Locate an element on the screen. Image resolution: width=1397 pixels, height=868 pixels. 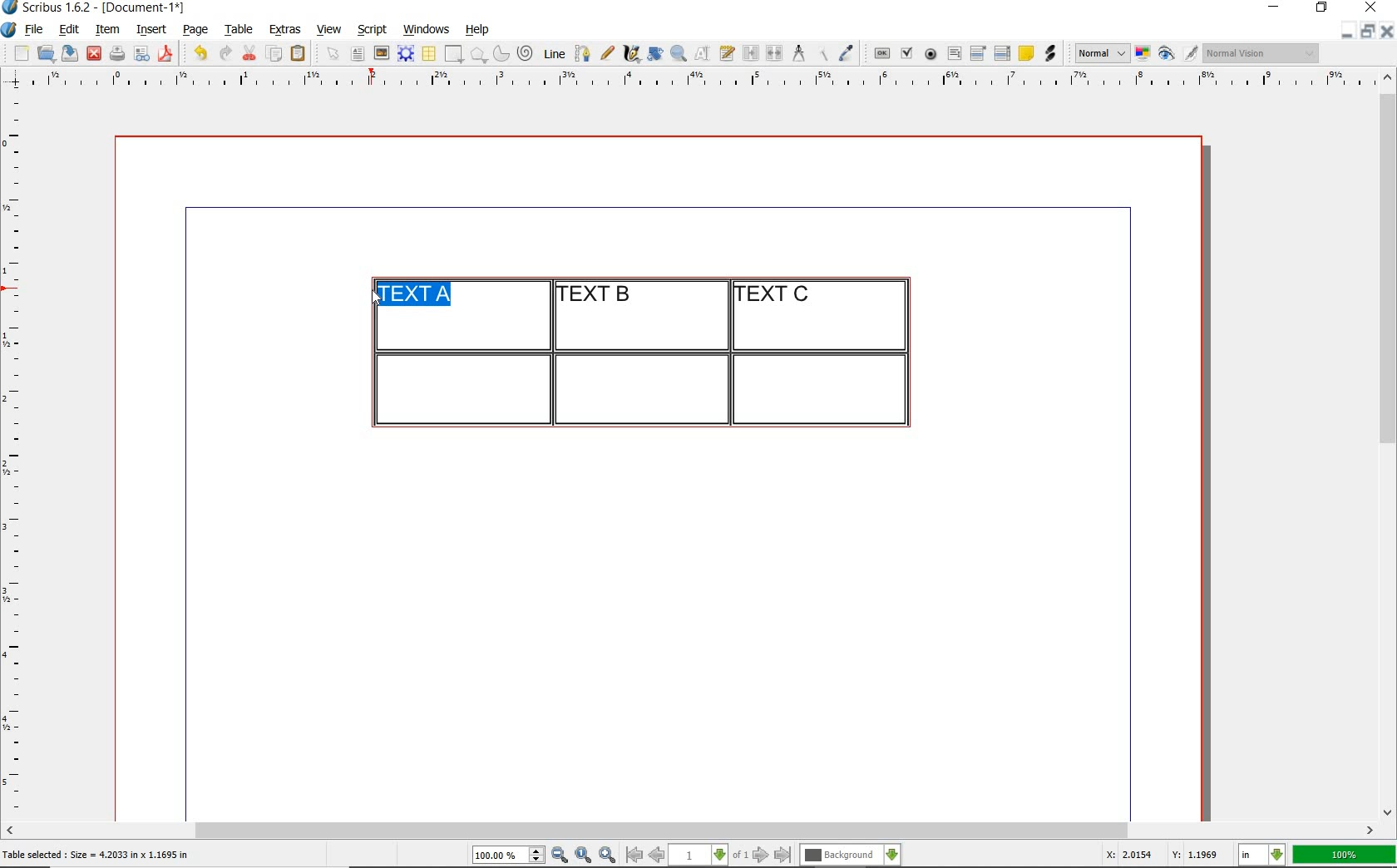
scrollbar is located at coordinates (690, 832).